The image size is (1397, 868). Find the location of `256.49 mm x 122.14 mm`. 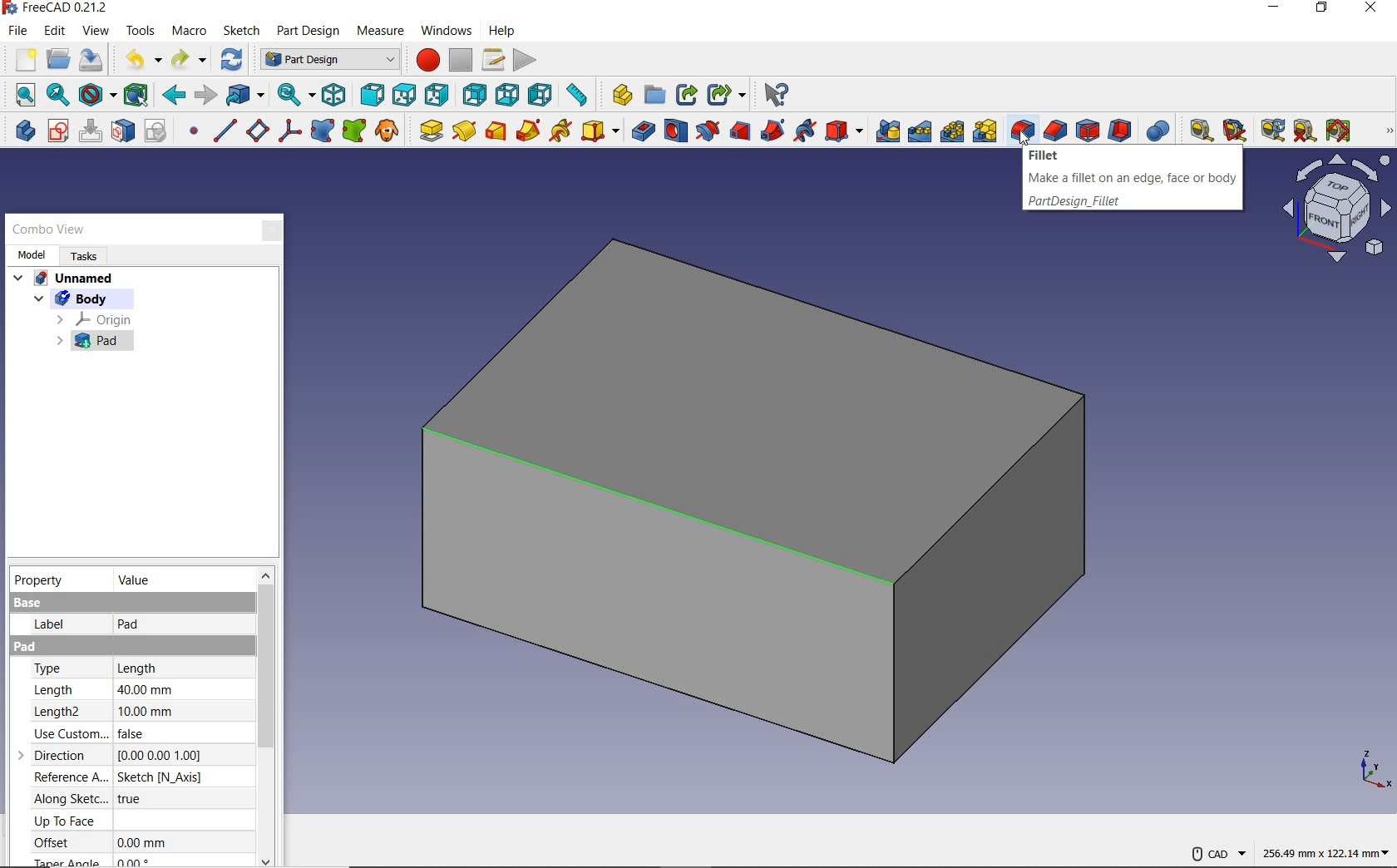

256.49 mm x 122.14 mm is located at coordinates (1325, 851).